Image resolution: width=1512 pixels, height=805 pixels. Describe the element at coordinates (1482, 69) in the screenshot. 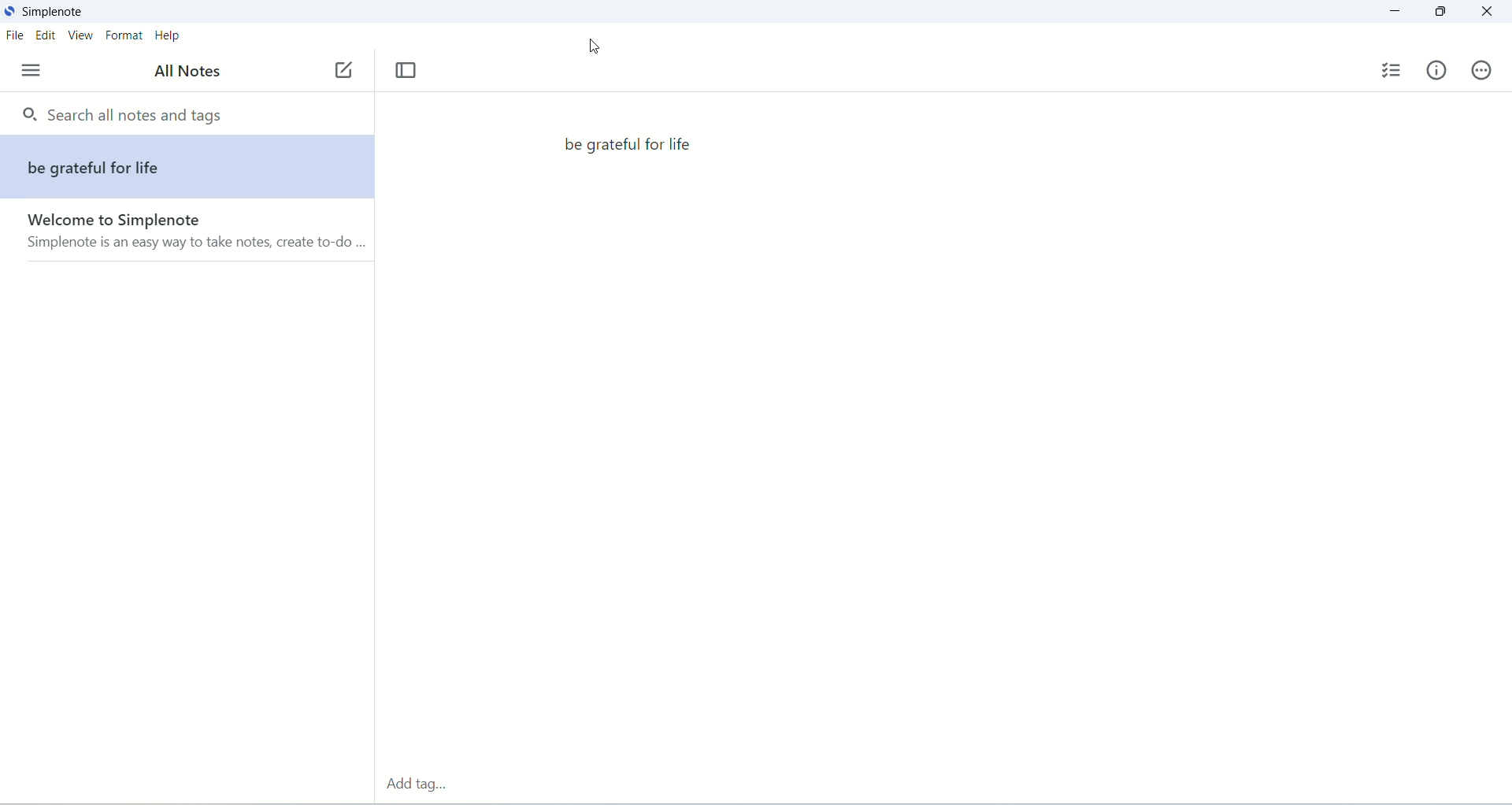

I see `actions` at that location.